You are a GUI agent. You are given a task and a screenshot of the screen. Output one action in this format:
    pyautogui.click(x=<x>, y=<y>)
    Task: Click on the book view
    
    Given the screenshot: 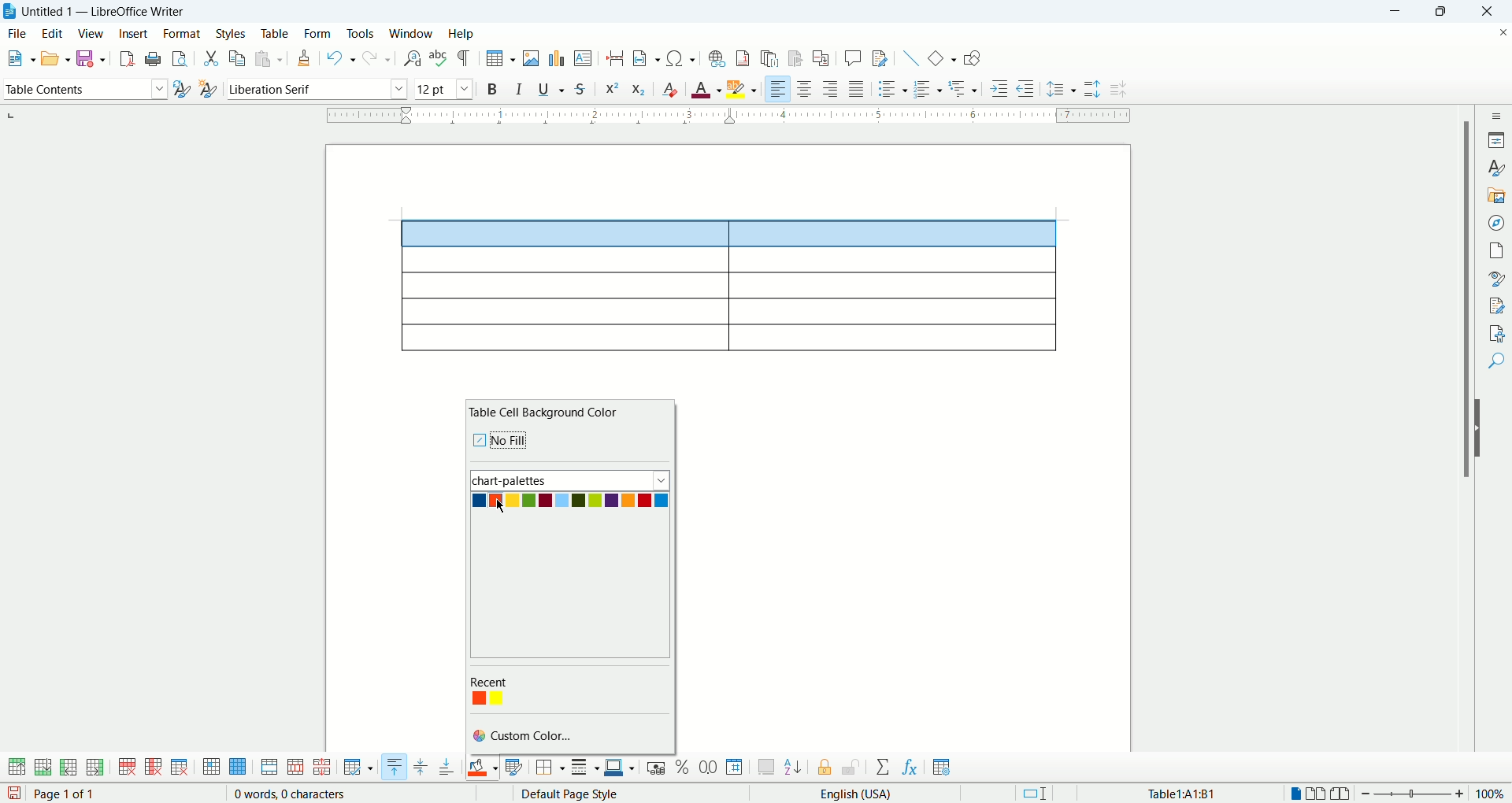 What is the action you would take?
    pyautogui.click(x=1343, y=794)
    